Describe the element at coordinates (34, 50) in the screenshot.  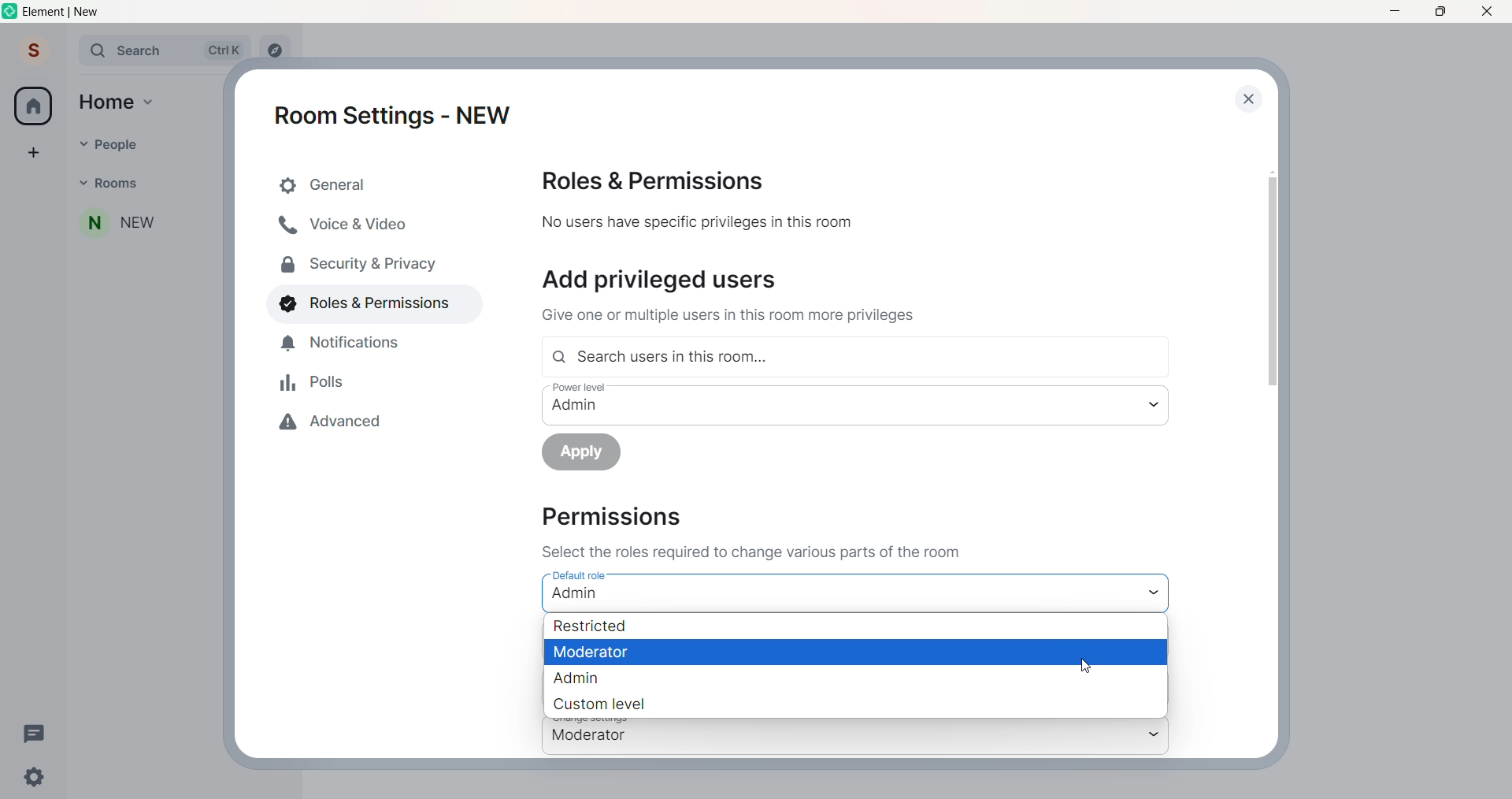
I see `user` at that location.